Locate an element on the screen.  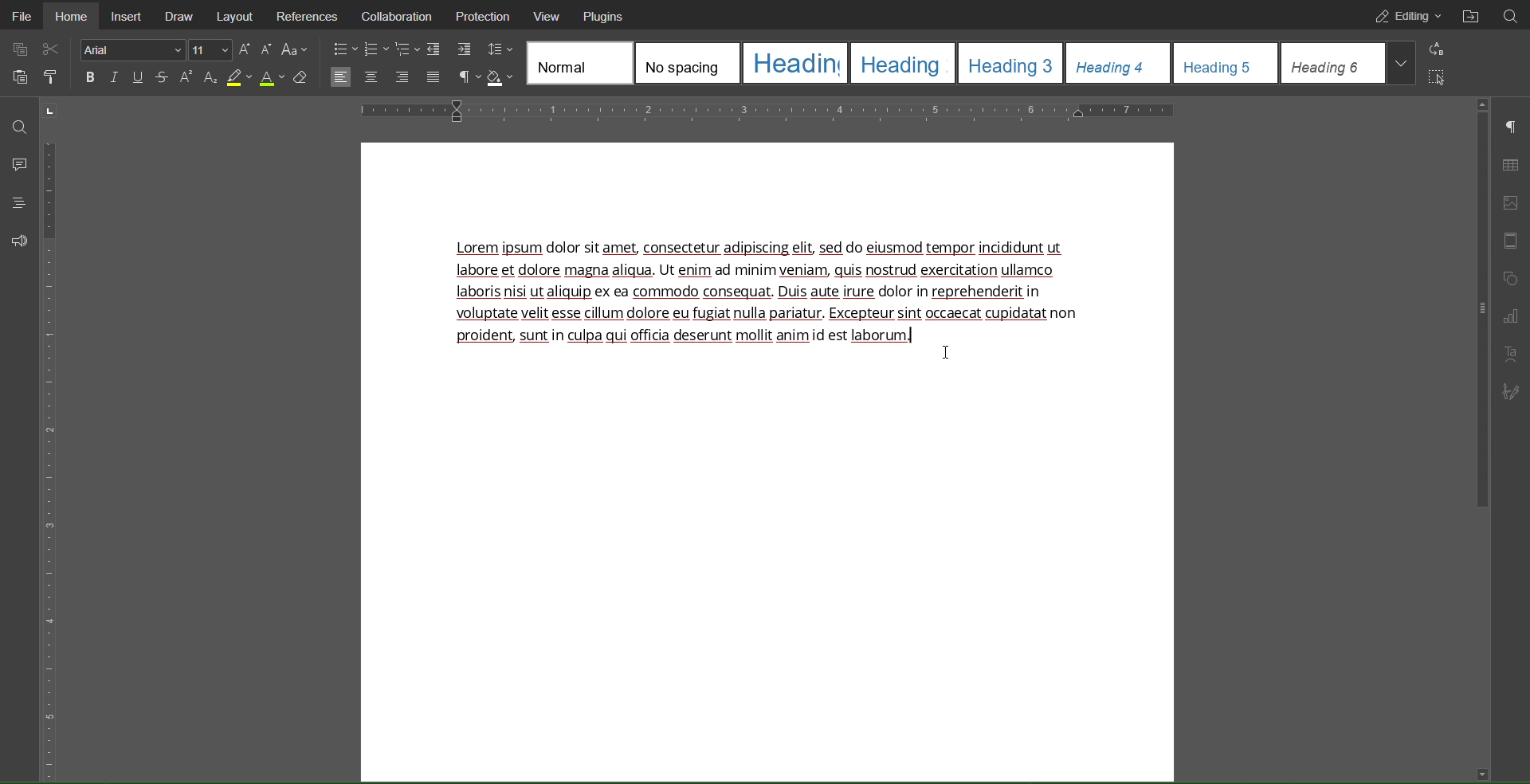
Header Footer is located at coordinates (1512, 242).